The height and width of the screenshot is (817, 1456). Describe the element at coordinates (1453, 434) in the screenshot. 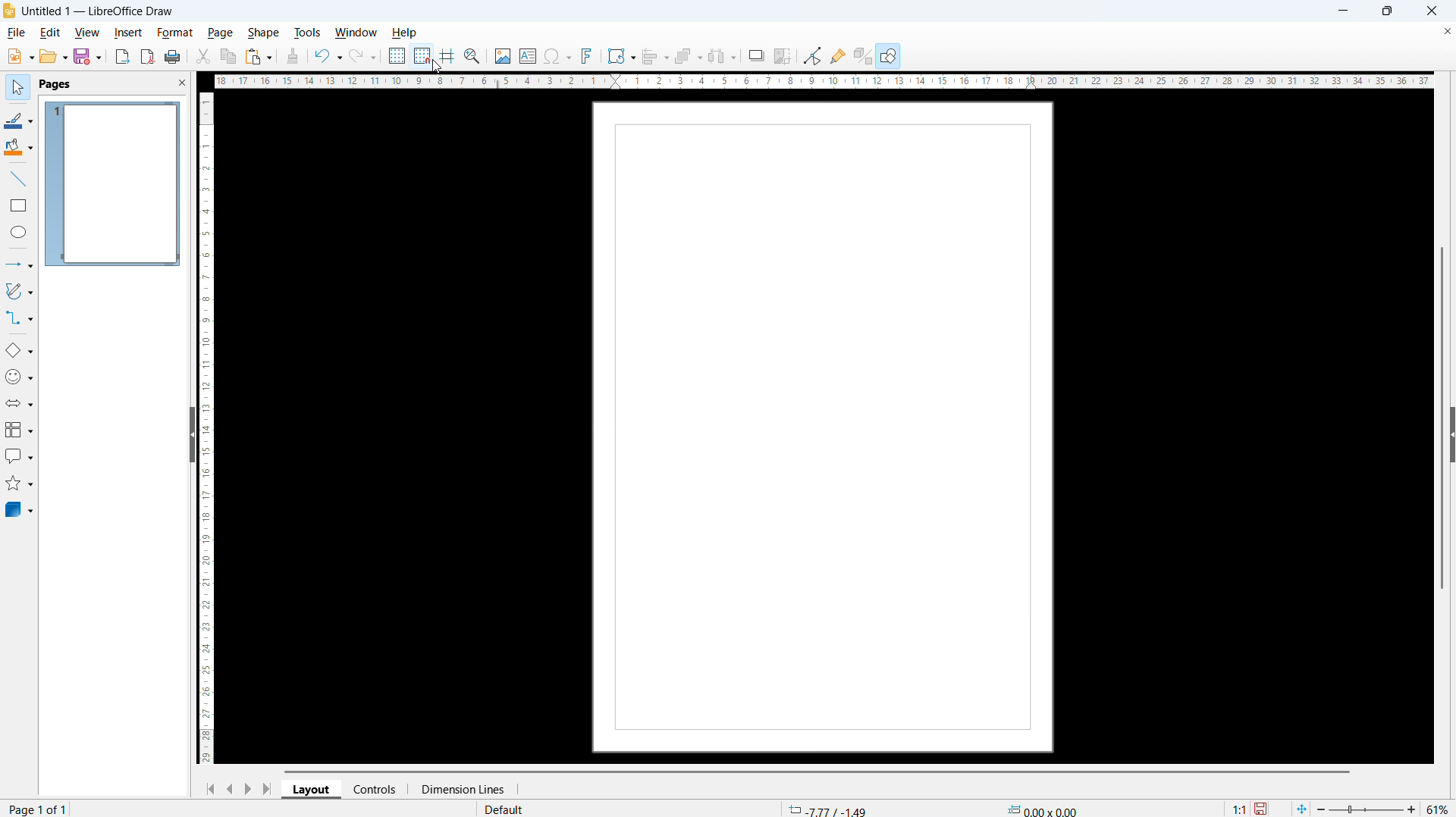

I see `Expand pane` at that location.